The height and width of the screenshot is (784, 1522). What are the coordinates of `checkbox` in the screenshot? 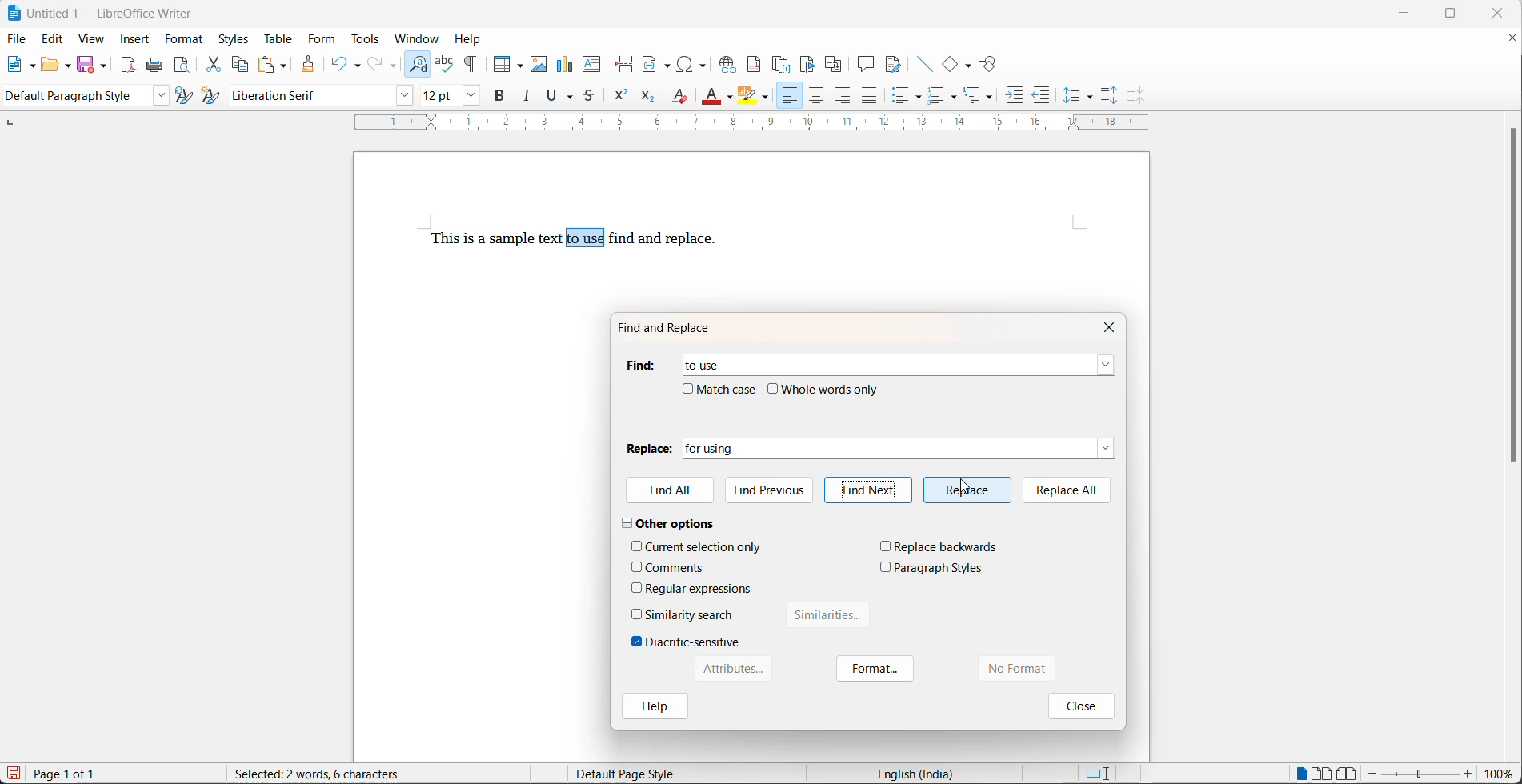 It's located at (687, 388).